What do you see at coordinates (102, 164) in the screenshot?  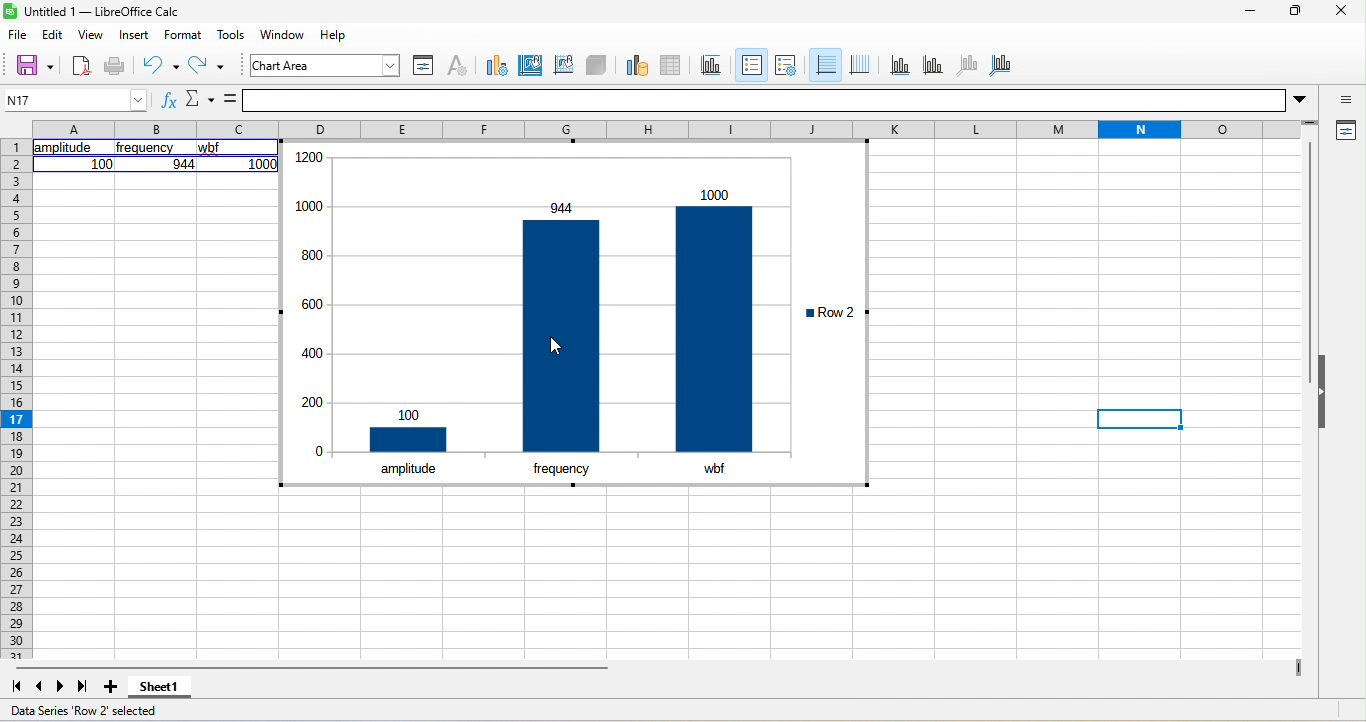 I see `100` at bounding box center [102, 164].